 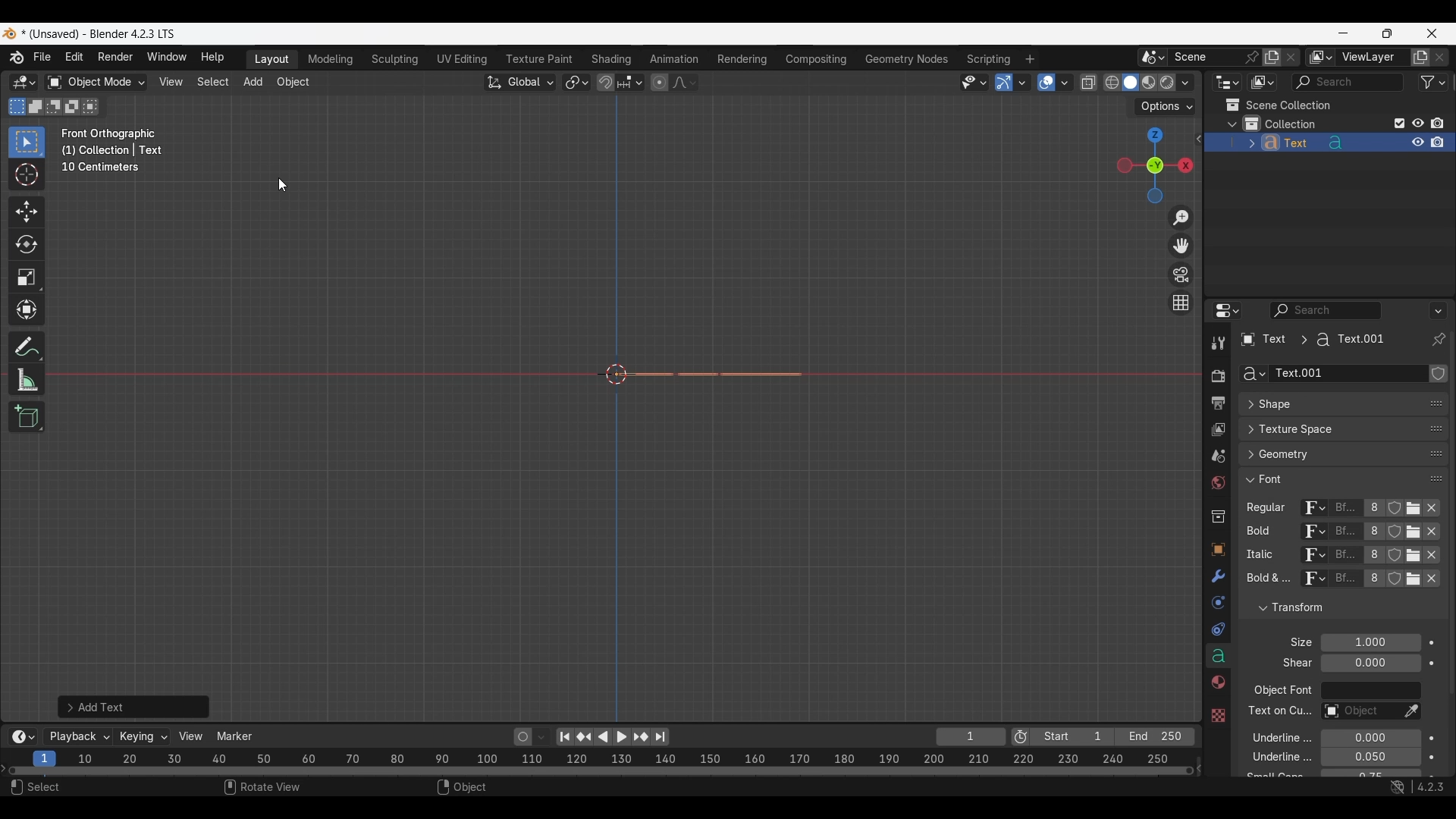 I want to click on Shading, so click(x=1185, y=83).